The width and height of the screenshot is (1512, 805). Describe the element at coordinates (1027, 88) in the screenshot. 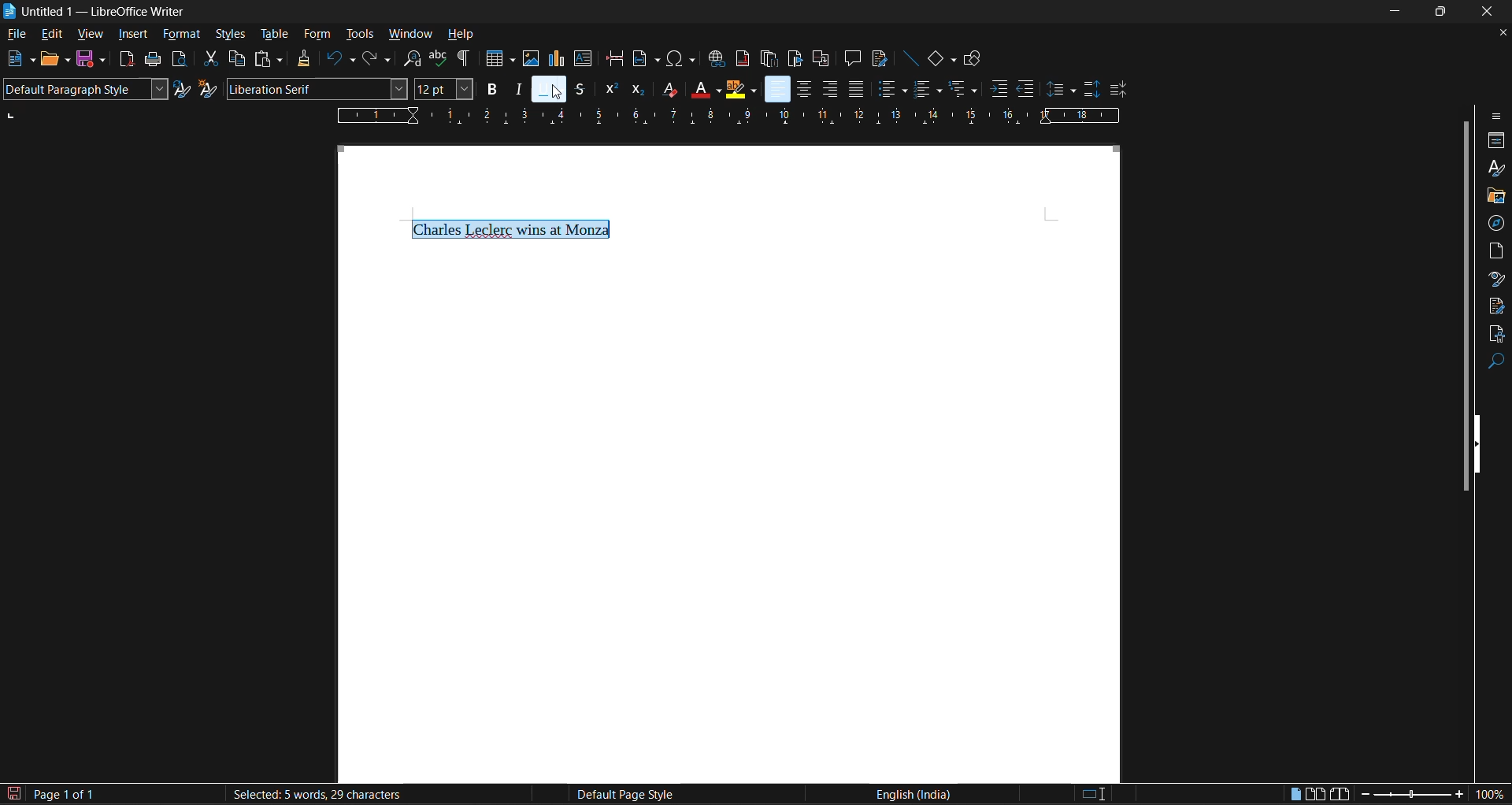

I see `decrease indent` at that location.